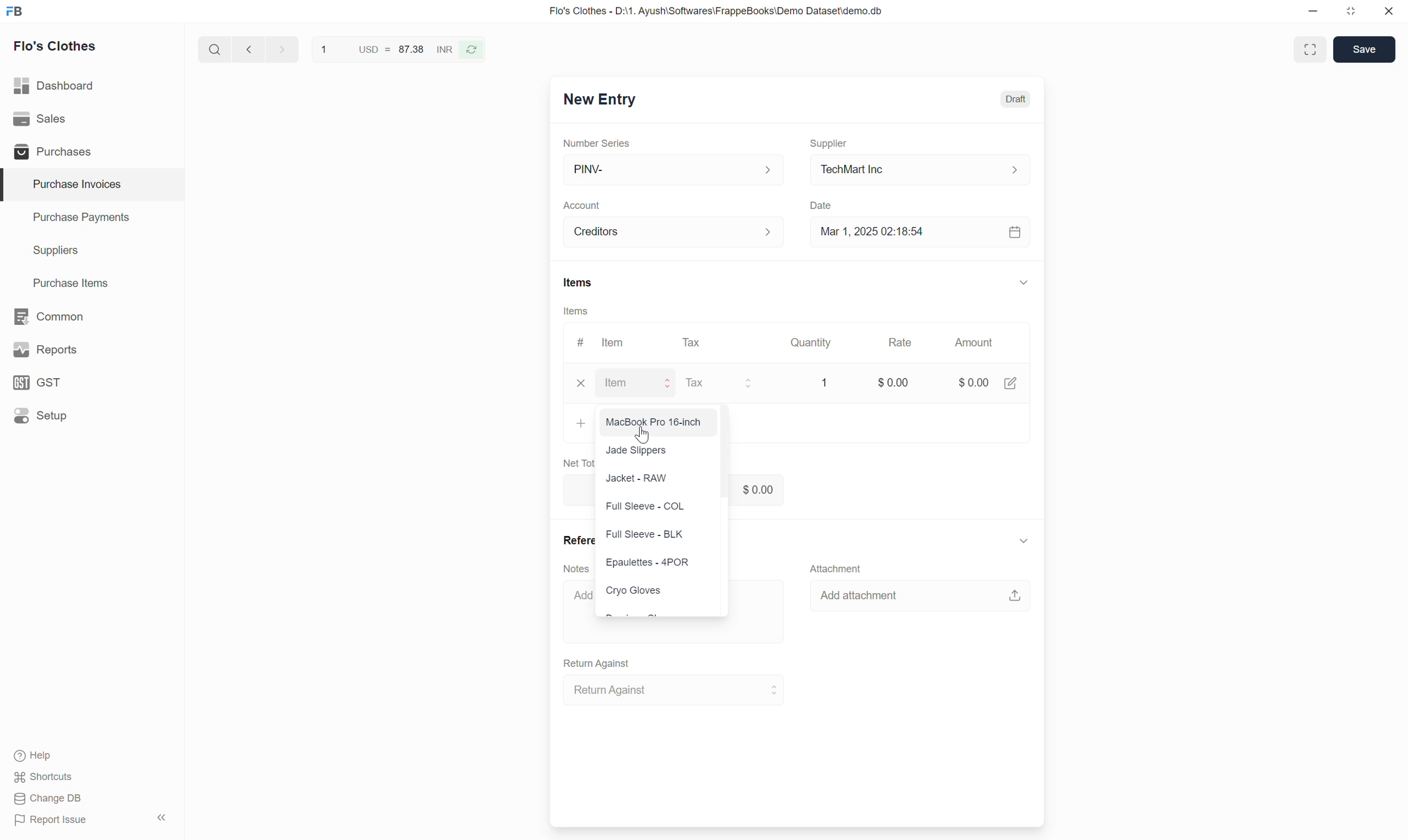 This screenshot has height=840, width=1408. What do you see at coordinates (1024, 282) in the screenshot?
I see `Collapse` at bounding box center [1024, 282].